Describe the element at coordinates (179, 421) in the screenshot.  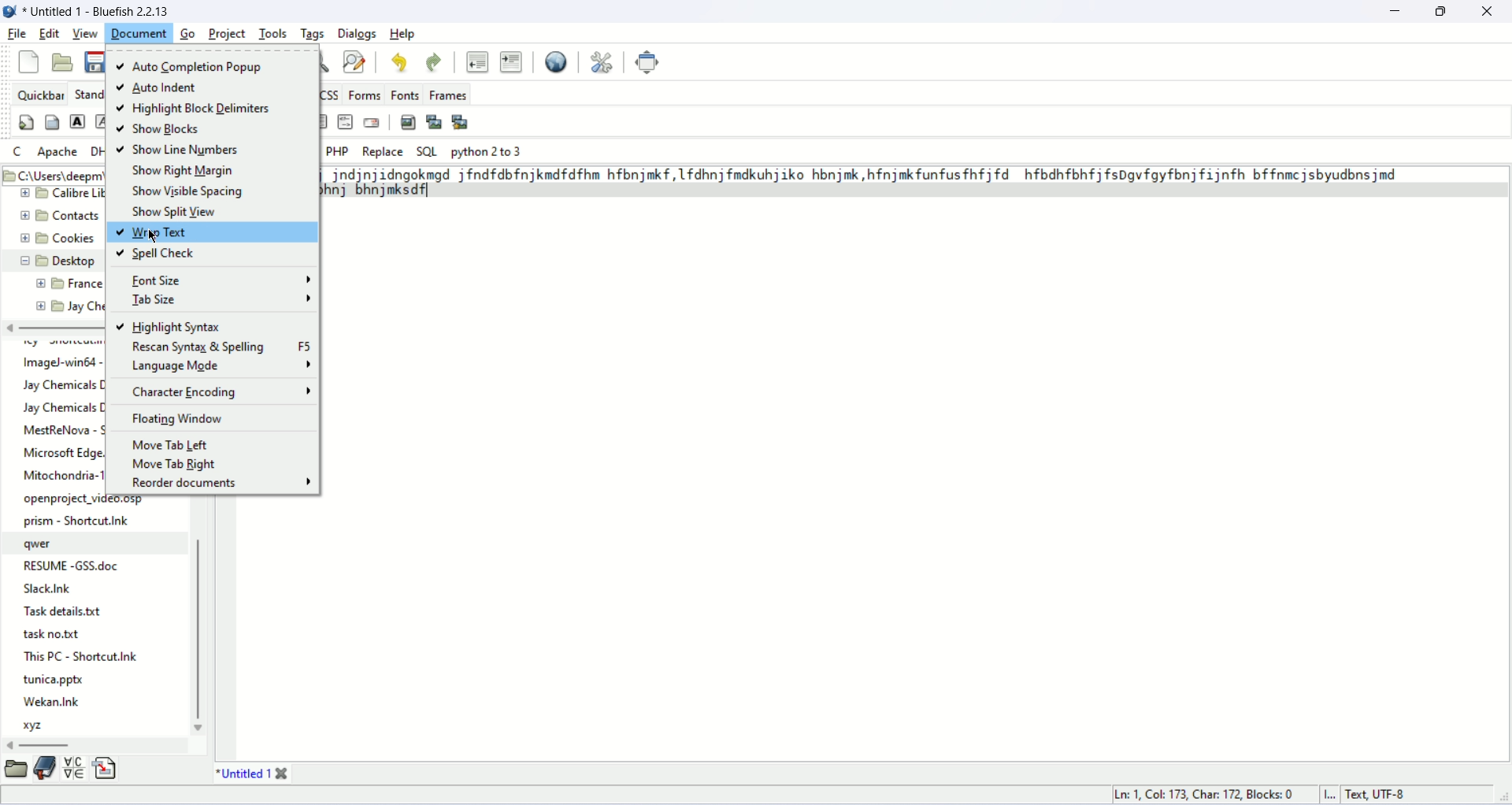
I see `floating window` at that location.